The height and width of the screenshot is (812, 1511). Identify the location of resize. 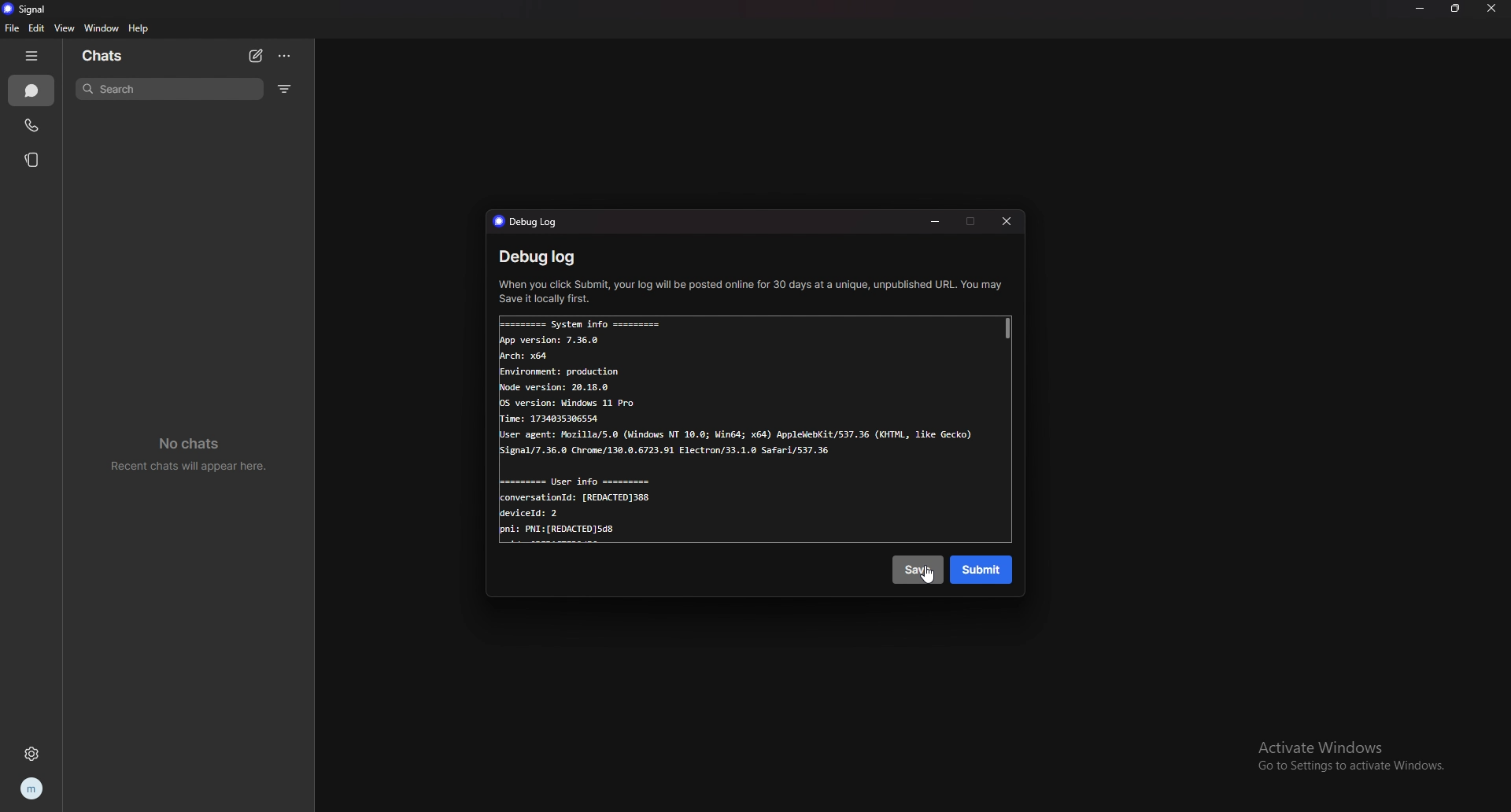
(1455, 7).